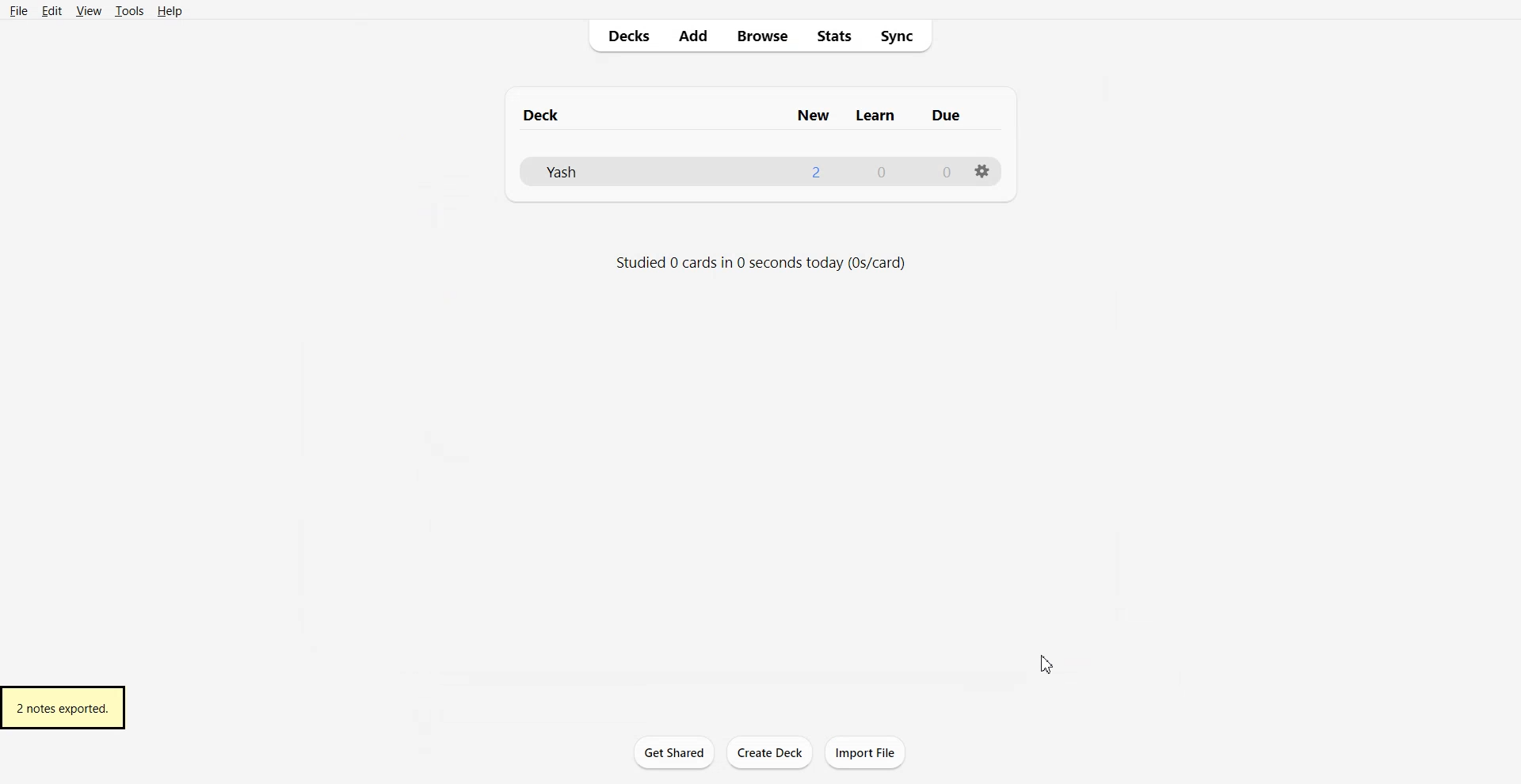 Image resolution: width=1521 pixels, height=784 pixels. Describe the element at coordinates (763, 262) in the screenshot. I see `Studied 0 cards in 0 seconds today (0s/card)` at that location.